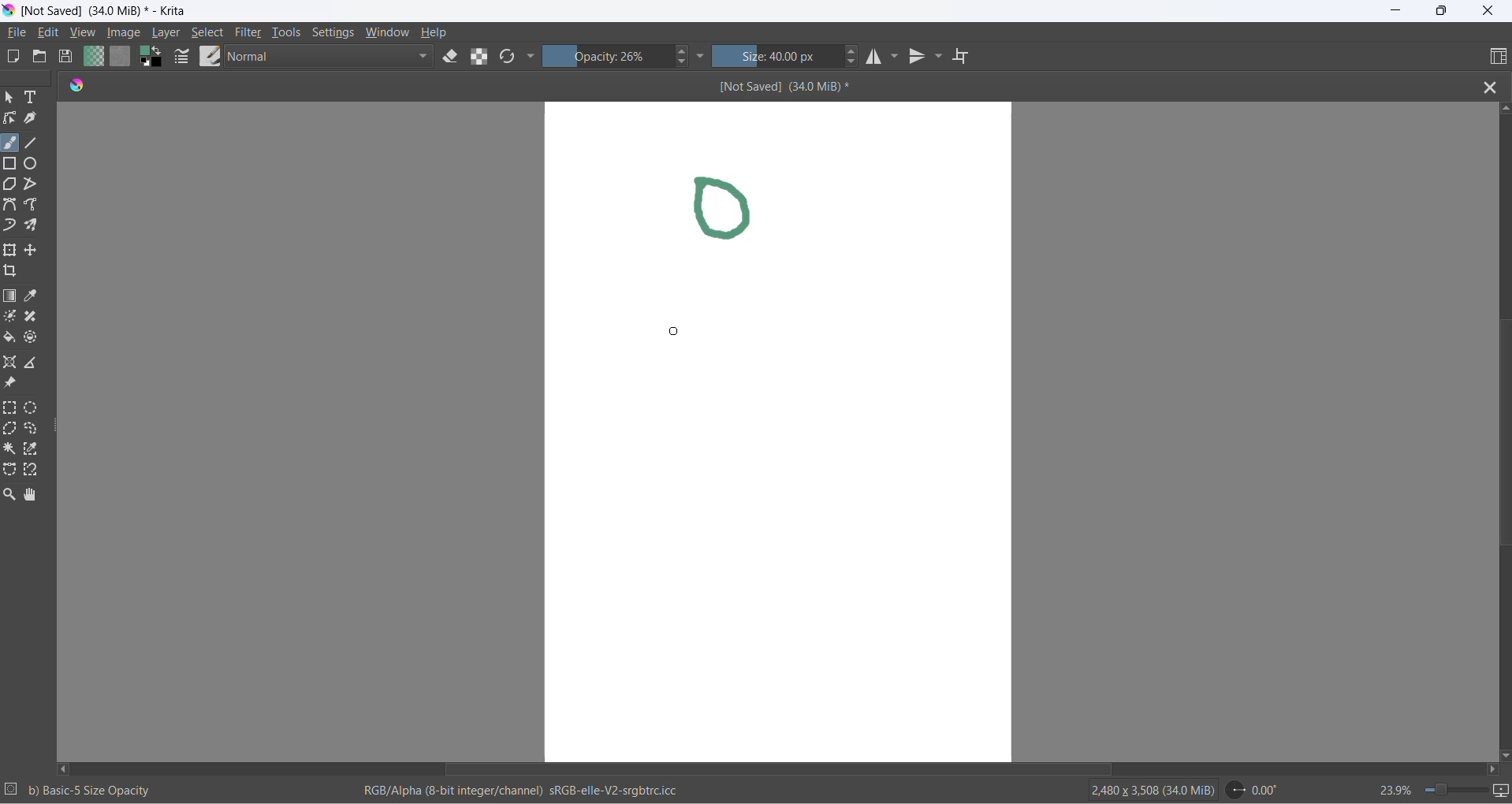  What do you see at coordinates (39, 226) in the screenshot?
I see `multibrush tool` at bounding box center [39, 226].